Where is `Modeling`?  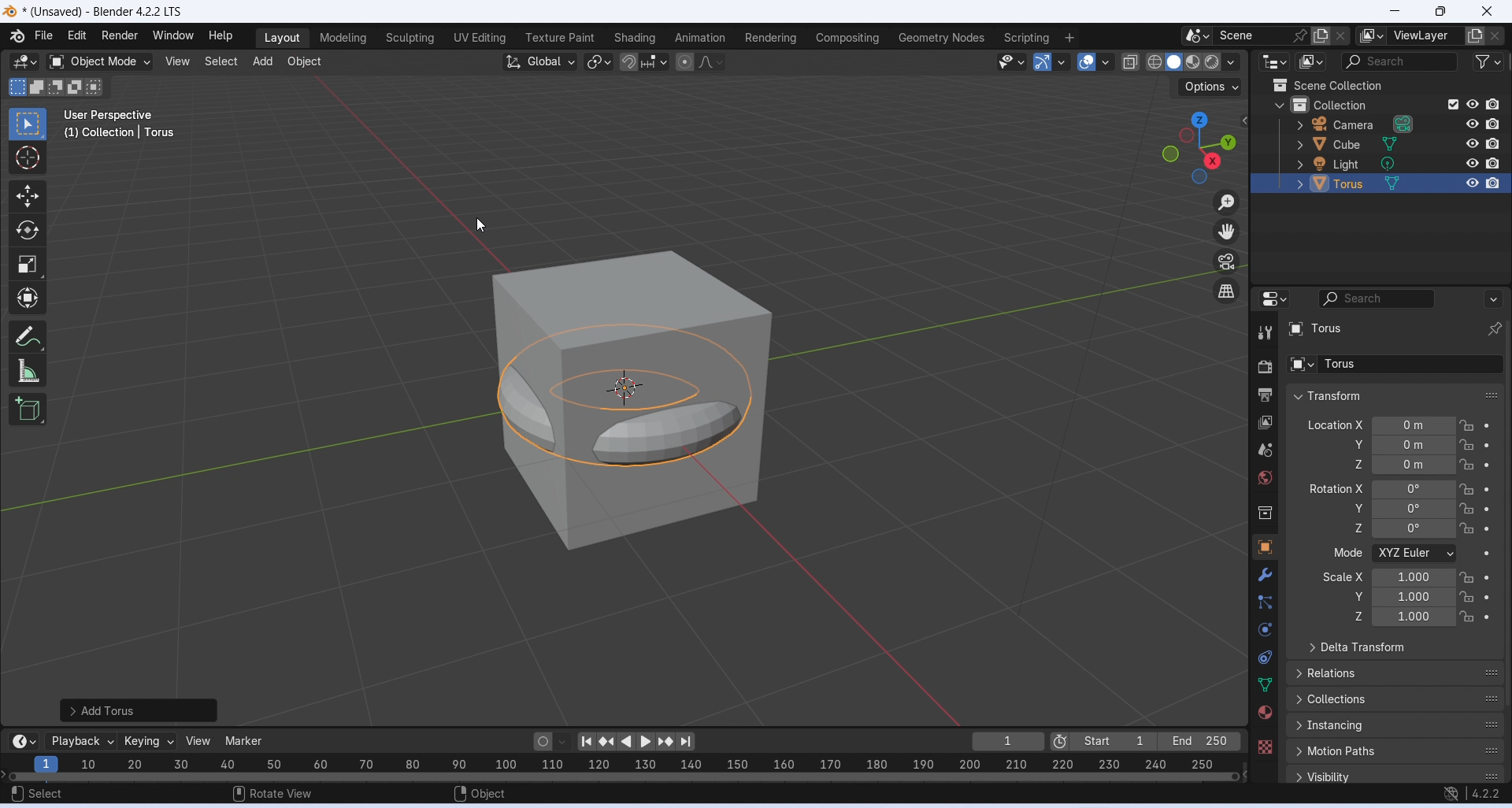
Modeling is located at coordinates (340, 39).